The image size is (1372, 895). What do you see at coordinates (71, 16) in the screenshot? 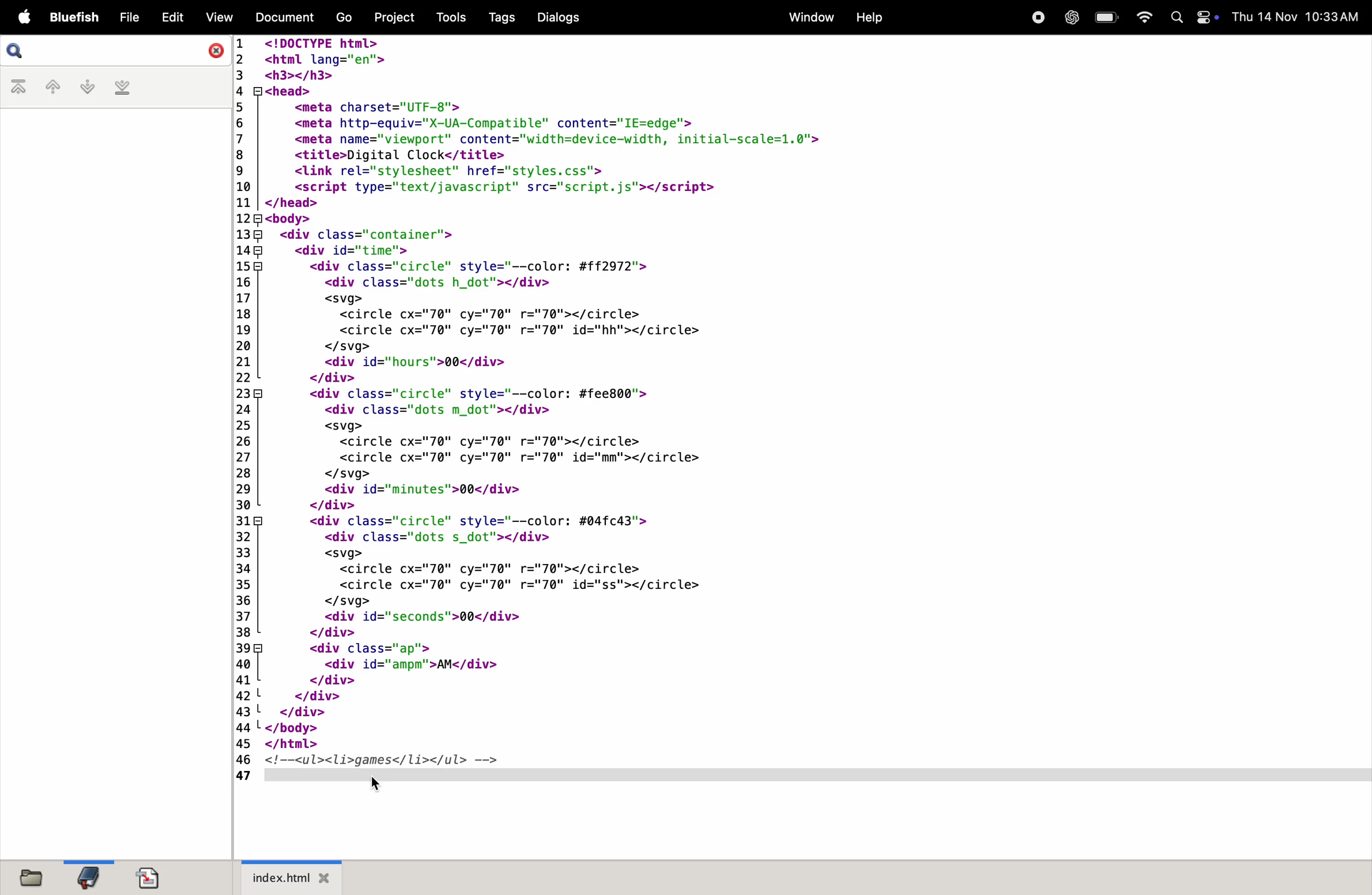
I see `bluefish` at bounding box center [71, 16].